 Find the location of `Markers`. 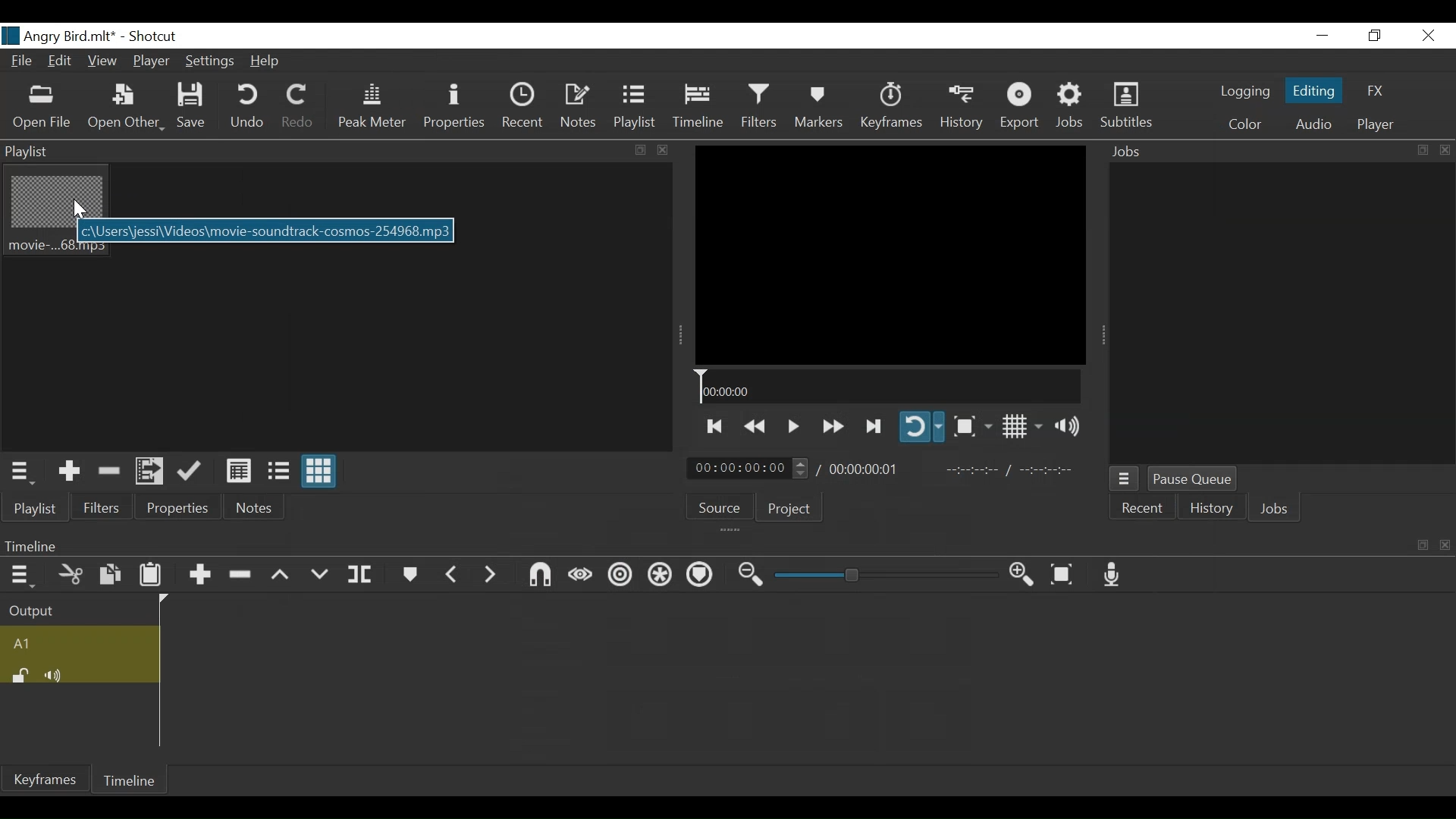

Markers is located at coordinates (818, 105).